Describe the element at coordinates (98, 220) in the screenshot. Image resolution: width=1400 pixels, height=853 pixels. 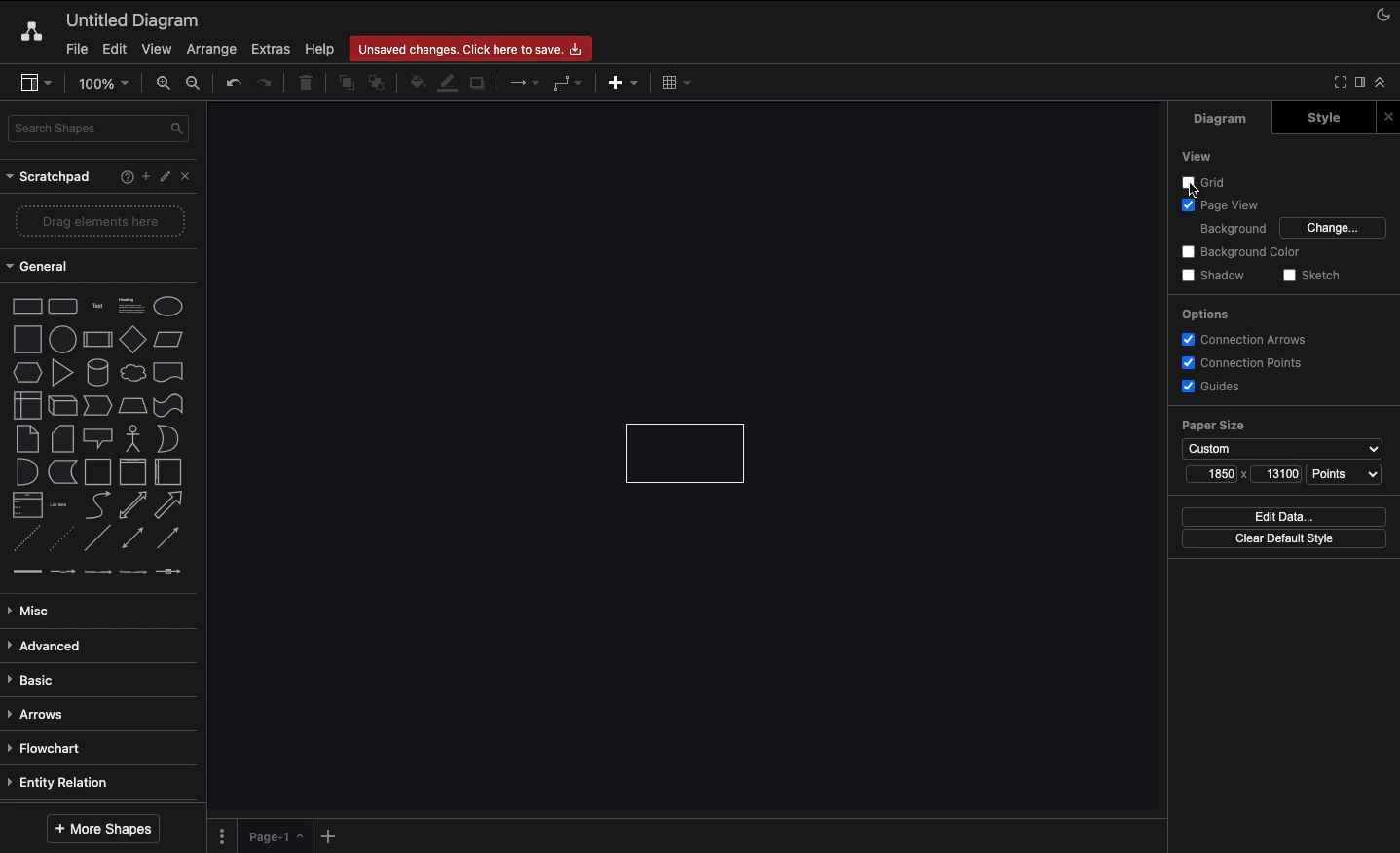
I see `Drag elements here` at that location.